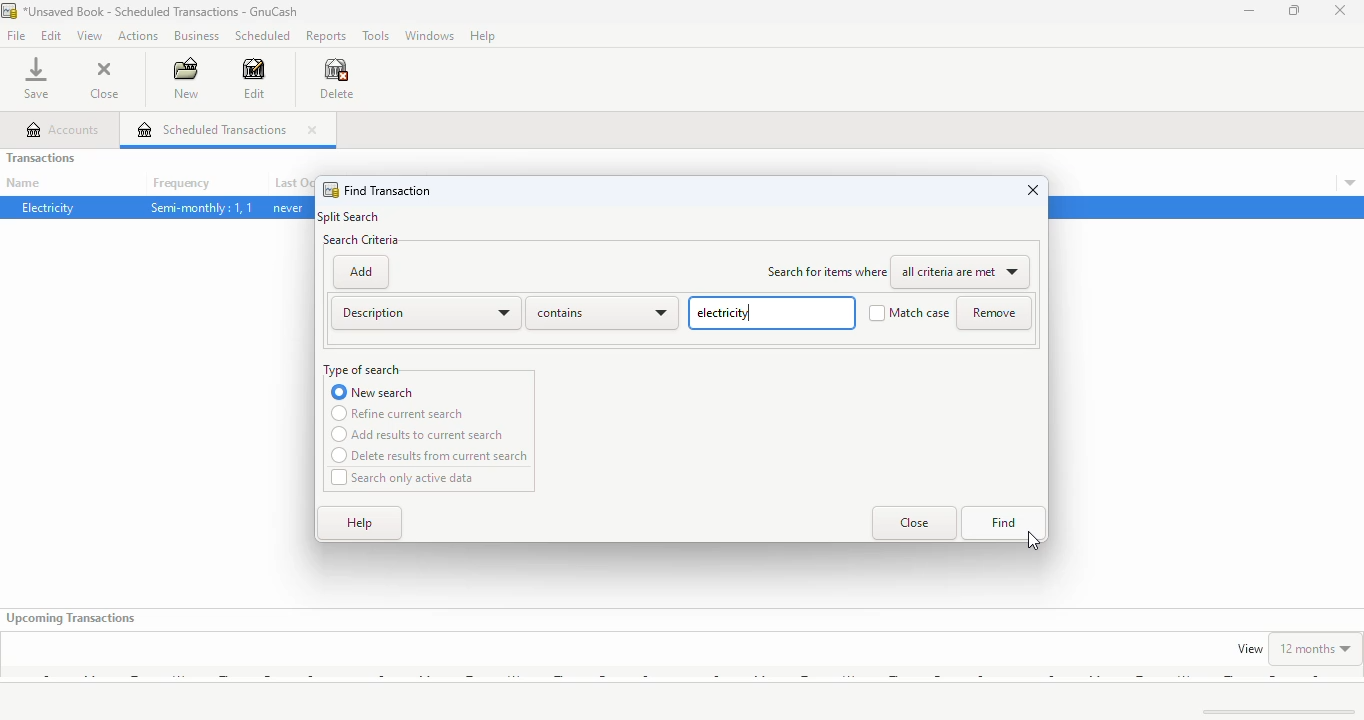  What do you see at coordinates (361, 524) in the screenshot?
I see `help` at bounding box center [361, 524].